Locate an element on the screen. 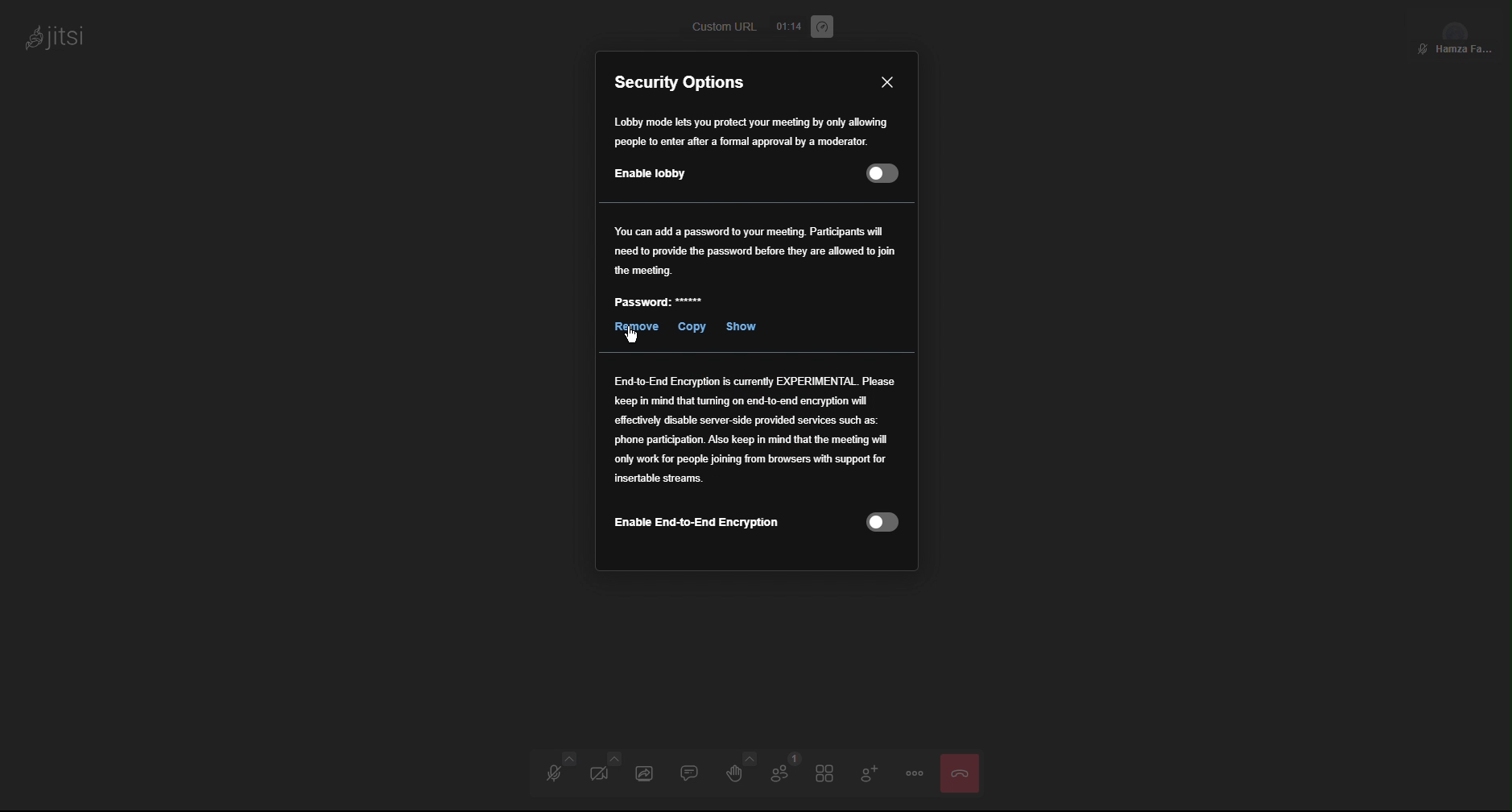 This screenshot has height=812, width=1512. Tile View is located at coordinates (828, 774).